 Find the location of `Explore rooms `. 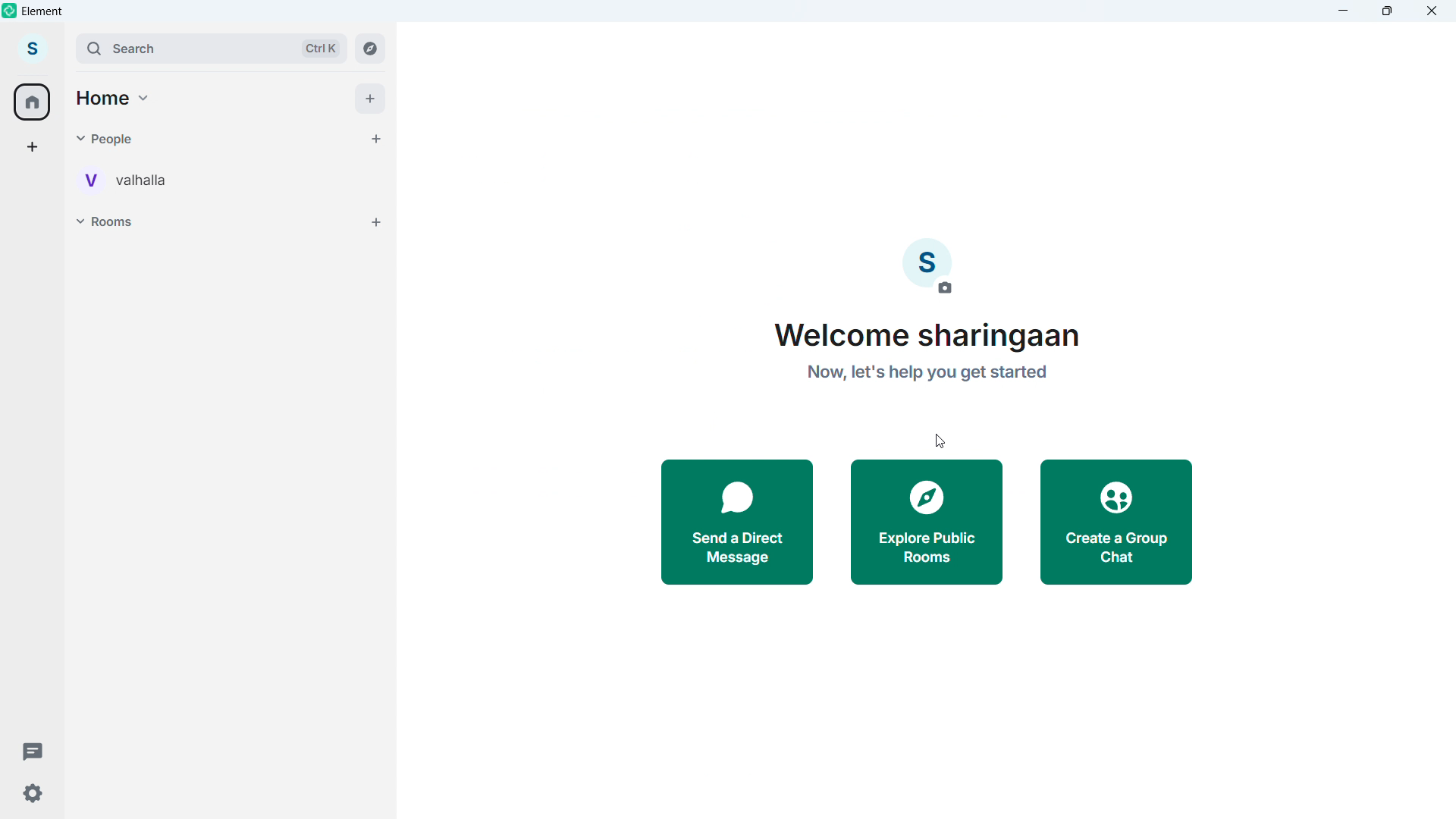

Explore rooms  is located at coordinates (370, 47).